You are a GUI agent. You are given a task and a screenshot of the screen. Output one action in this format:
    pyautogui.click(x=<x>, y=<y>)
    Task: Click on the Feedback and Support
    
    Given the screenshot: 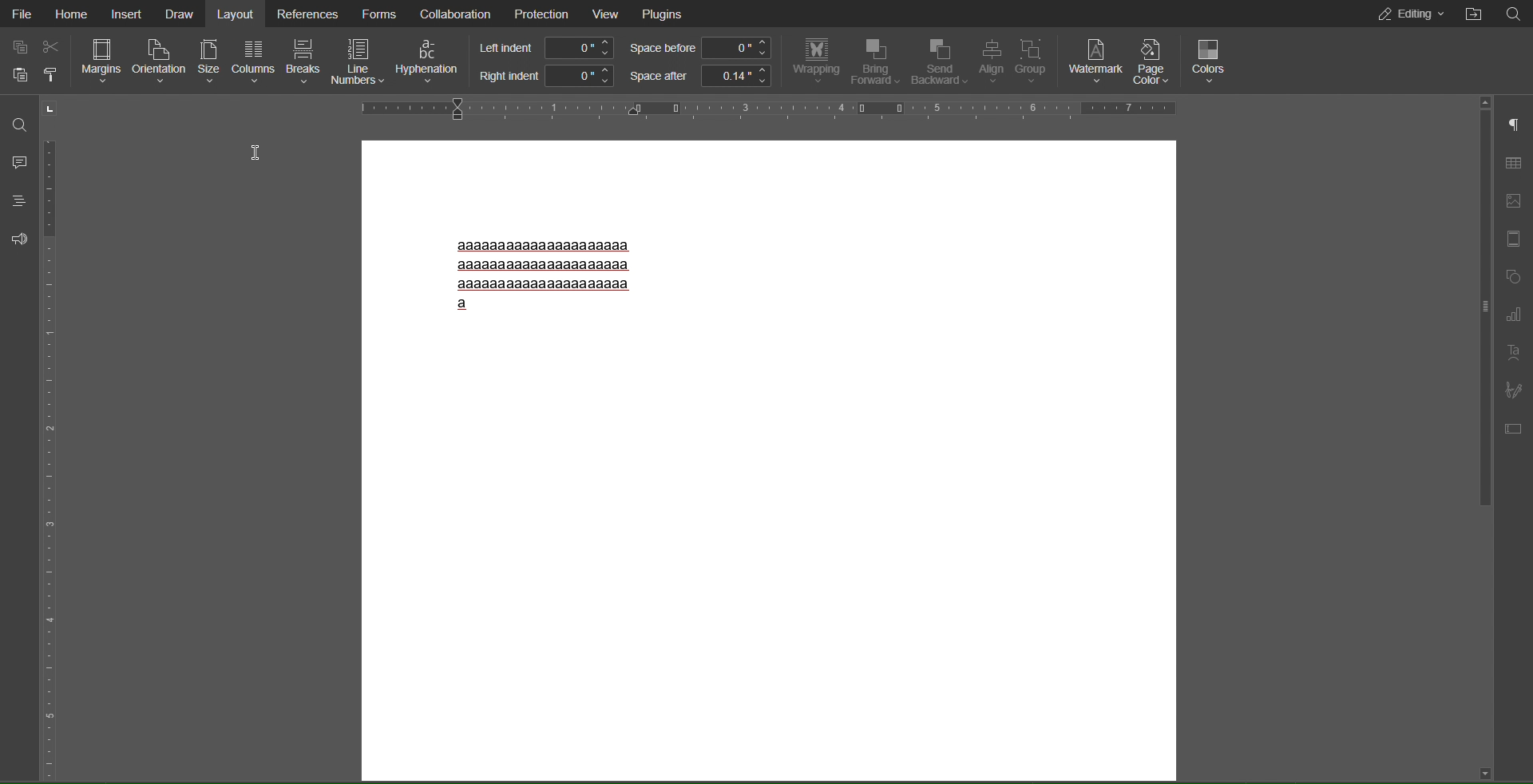 What is the action you would take?
    pyautogui.click(x=16, y=238)
    